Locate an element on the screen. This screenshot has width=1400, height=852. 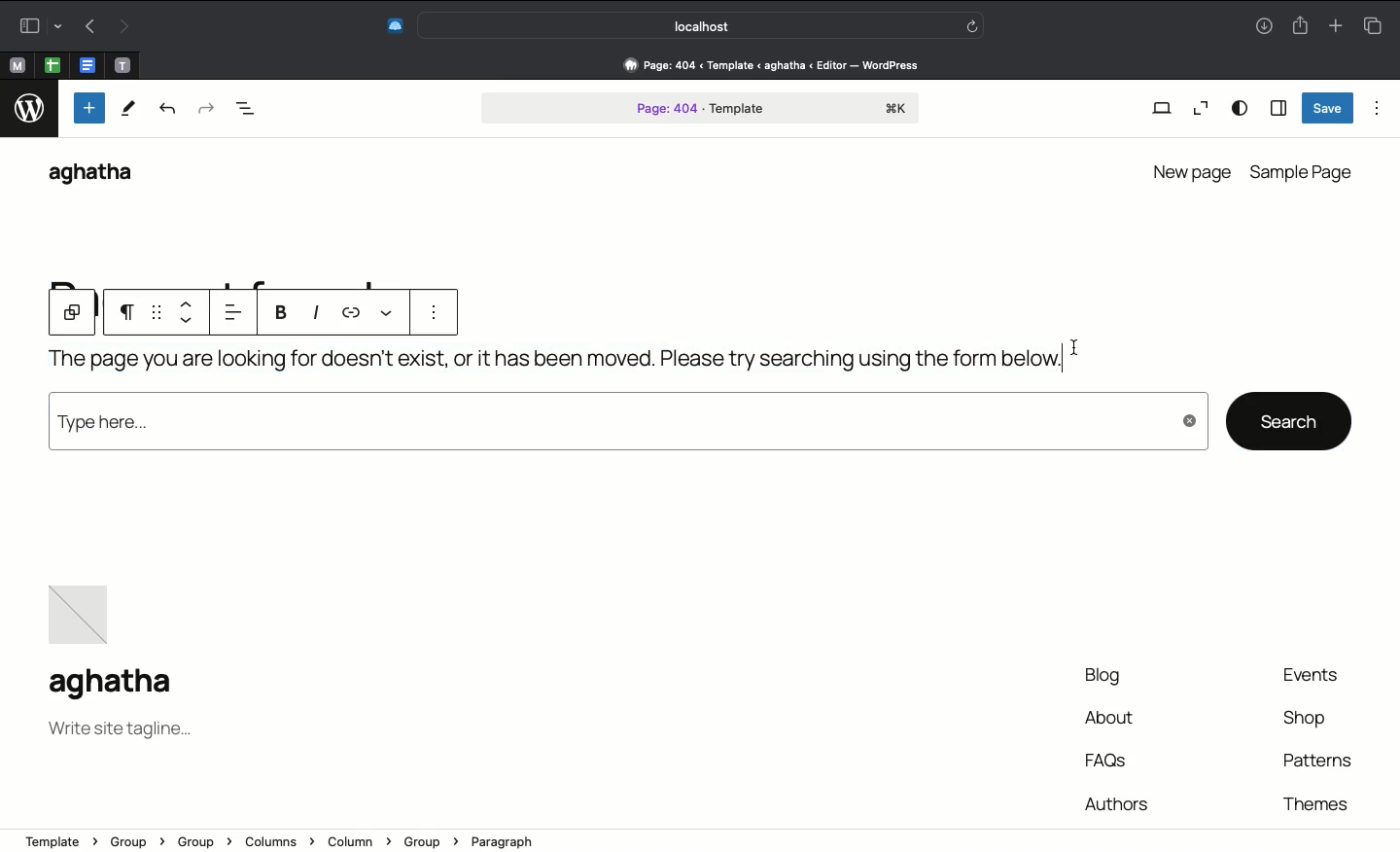
Save is located at coordinates (1328, 108).